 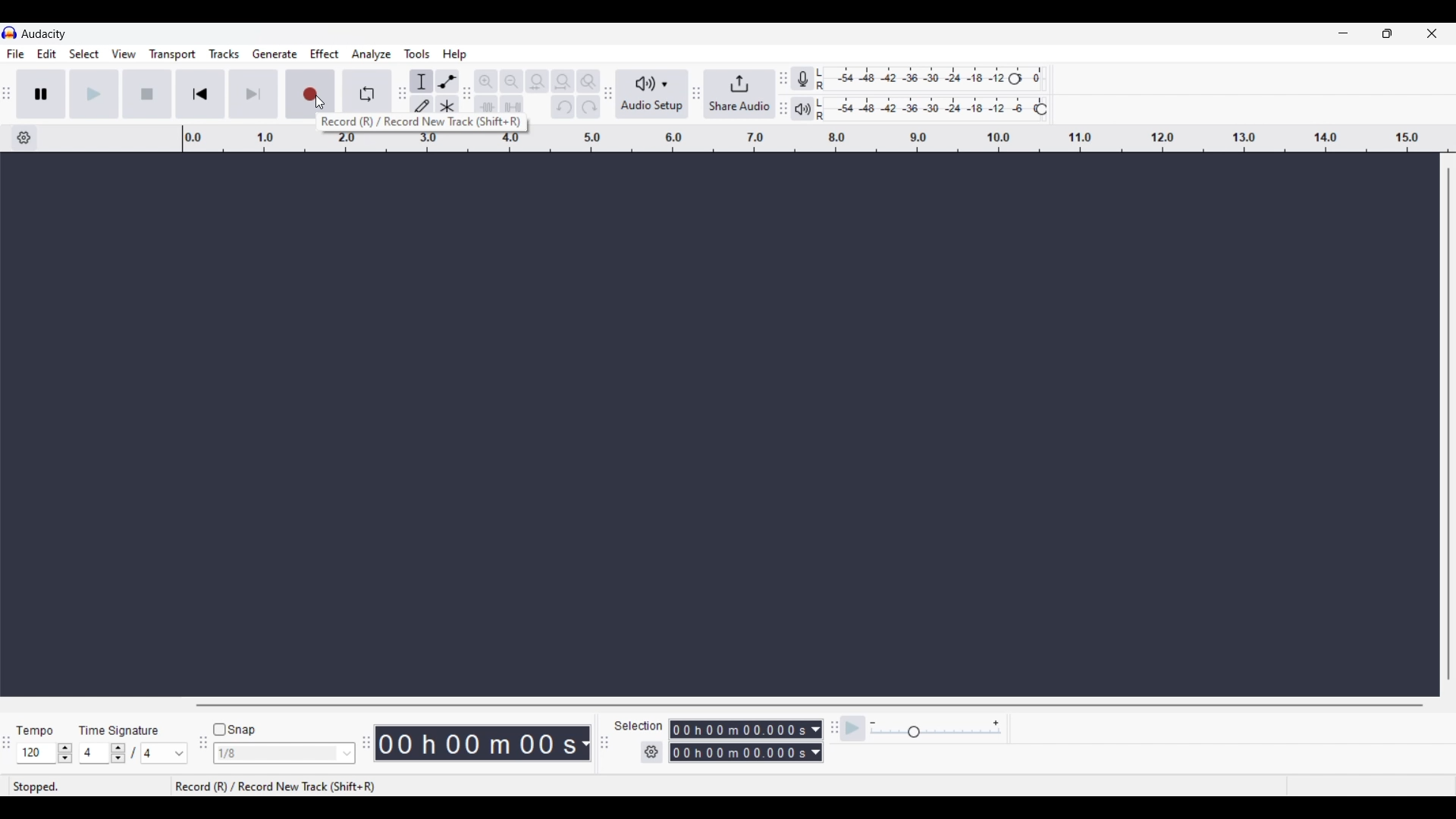 What do you see at coordinates (563, 106) in the screenshot?
I see `Undo` at bounding box center [563, 106].